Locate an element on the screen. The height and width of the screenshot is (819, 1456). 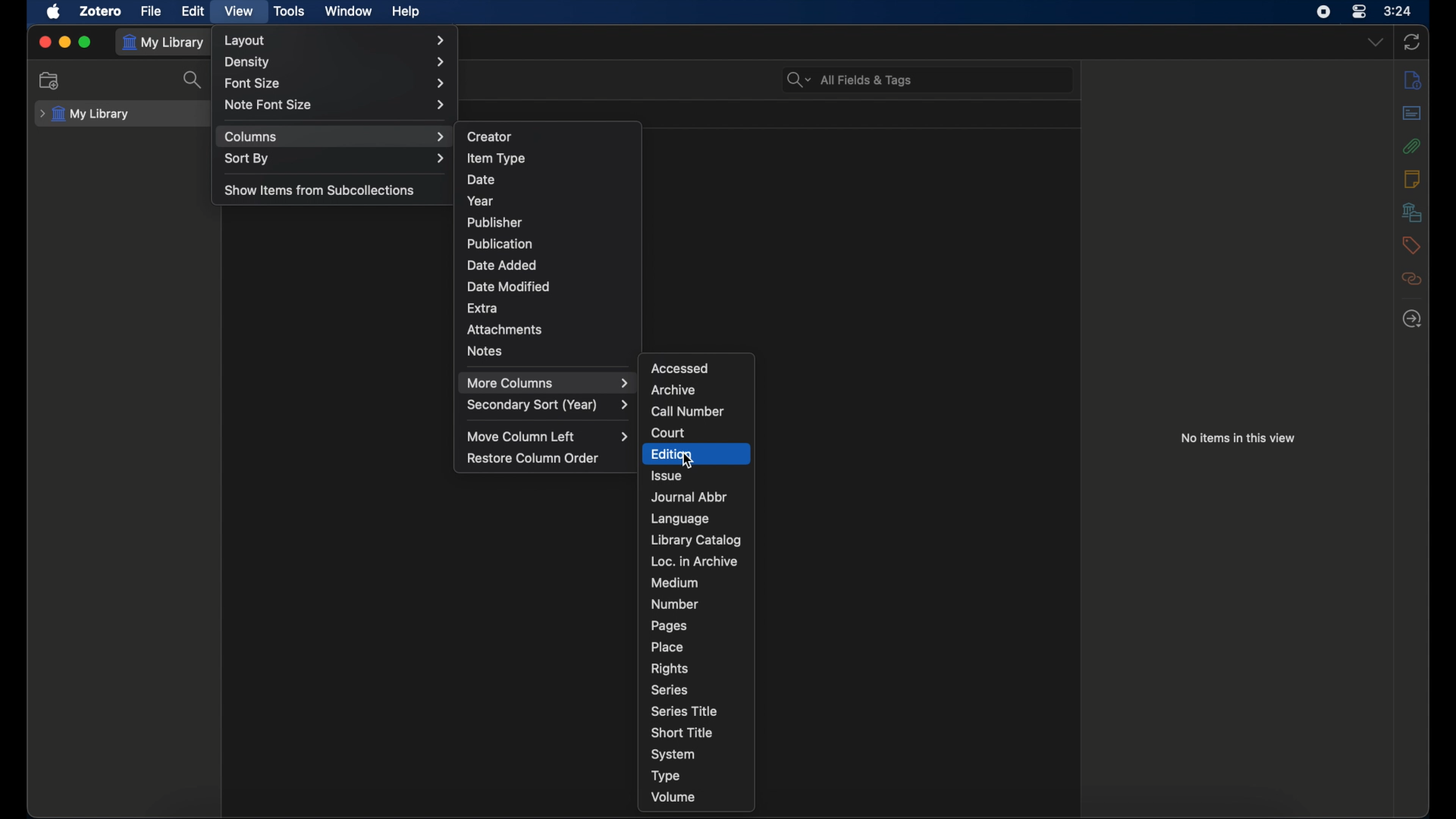
pages is located at coordinates (673, 626).